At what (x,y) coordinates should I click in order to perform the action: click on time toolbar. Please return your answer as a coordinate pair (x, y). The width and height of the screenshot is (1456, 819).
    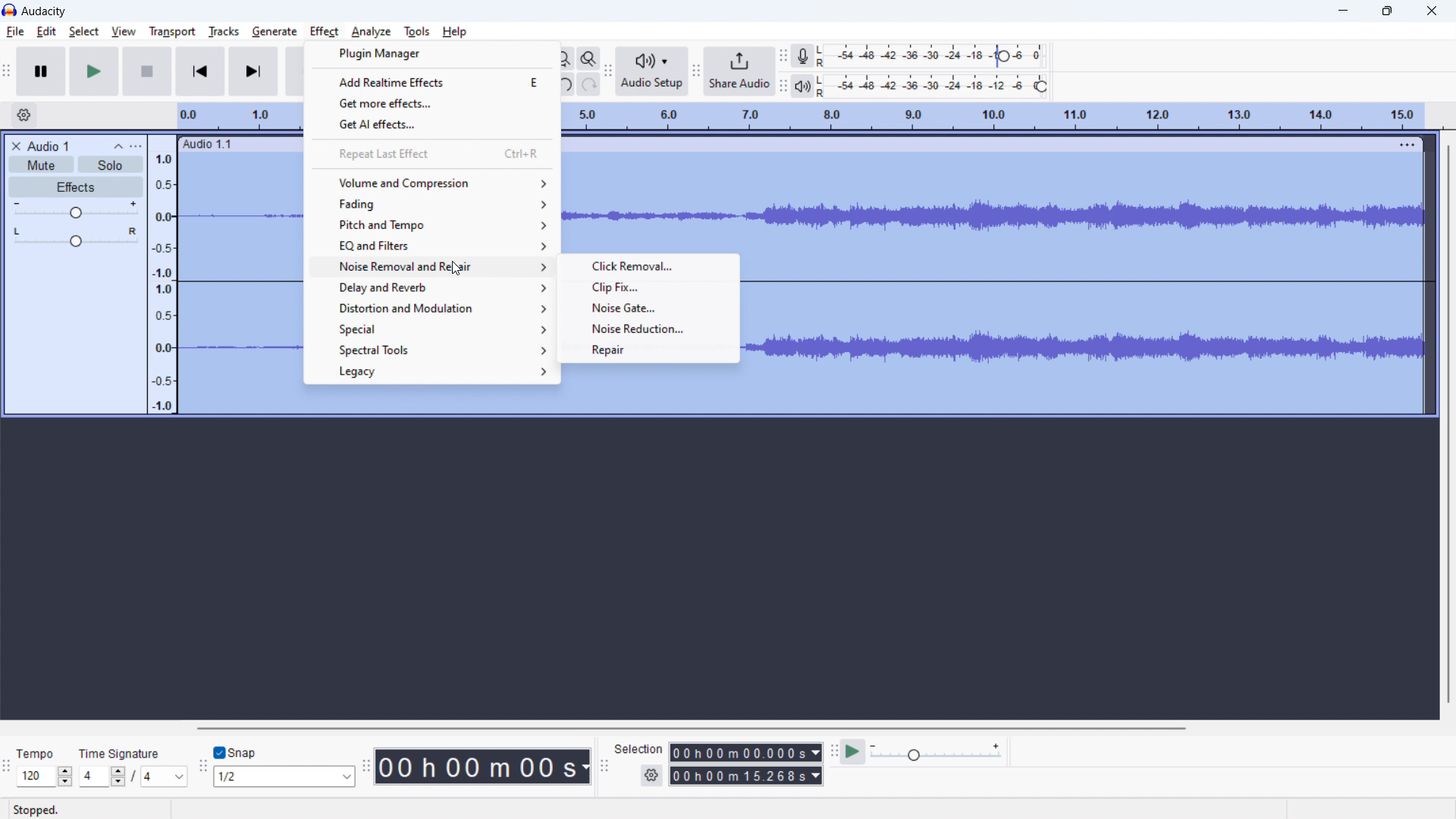
    Looking at the image, I should click on (366, 764).